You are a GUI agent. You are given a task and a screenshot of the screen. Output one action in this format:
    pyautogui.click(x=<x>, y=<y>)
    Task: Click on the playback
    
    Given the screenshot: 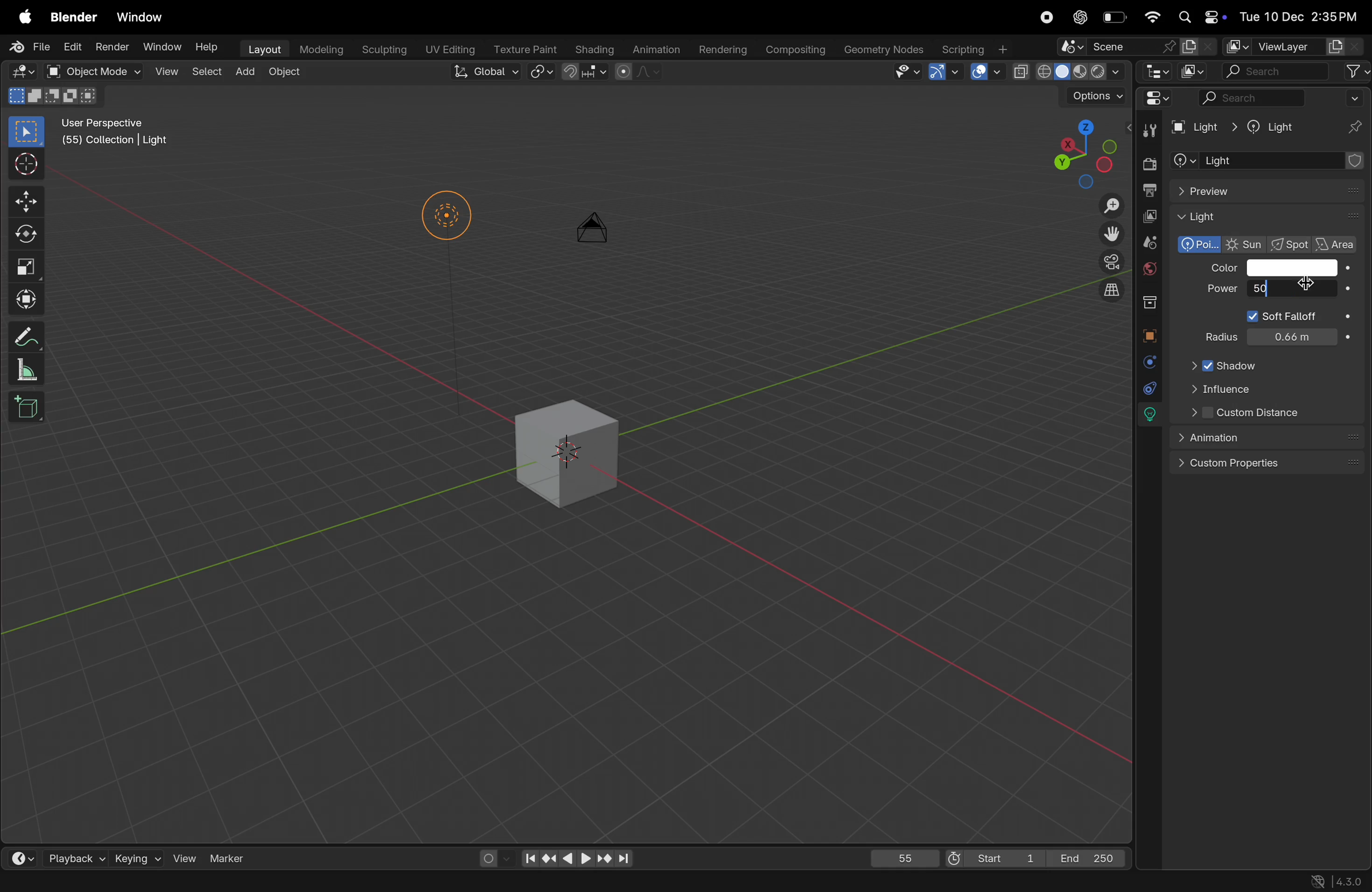 What is the action you would take?
    pyautogui.click(x=77, y=857)
    